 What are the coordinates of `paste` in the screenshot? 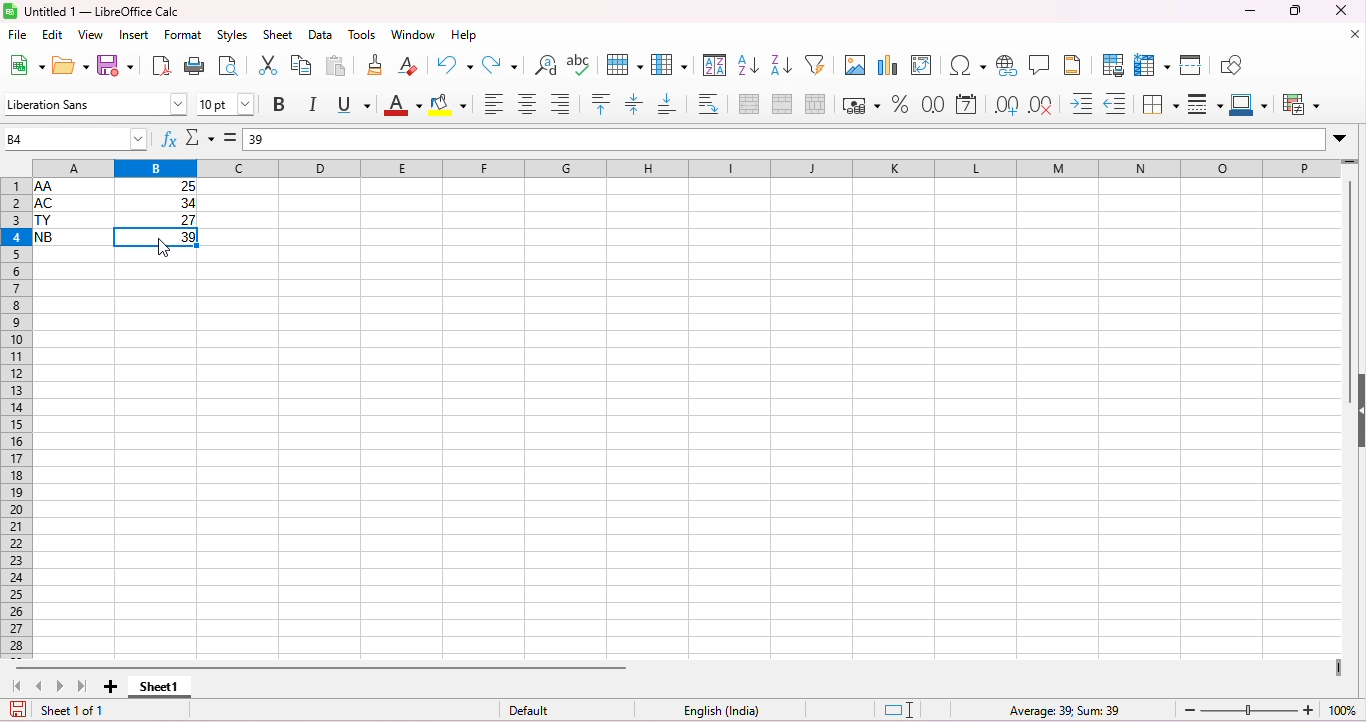 It's located at (336, 65).